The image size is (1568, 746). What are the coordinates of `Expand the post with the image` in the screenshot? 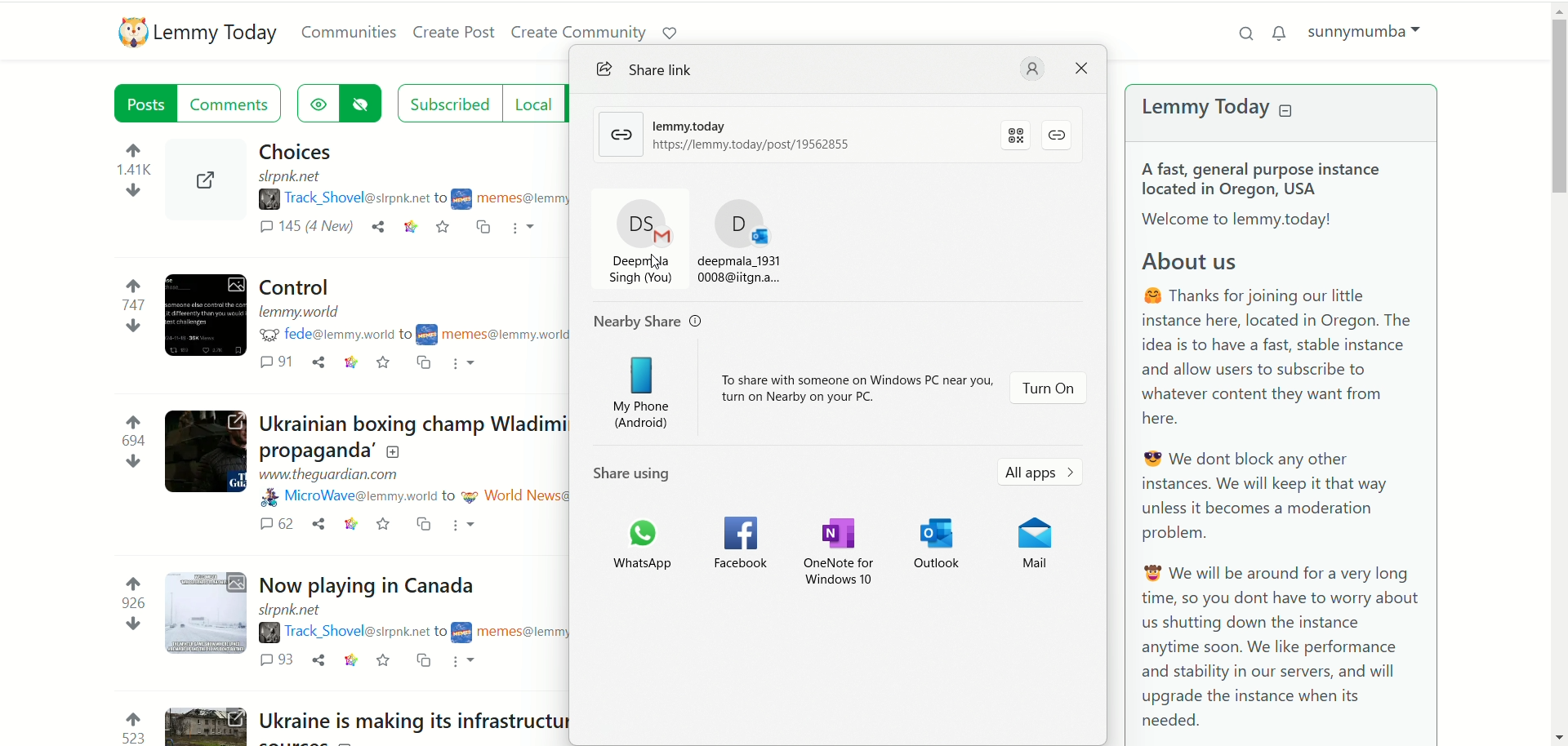 It's located at (205, 181).